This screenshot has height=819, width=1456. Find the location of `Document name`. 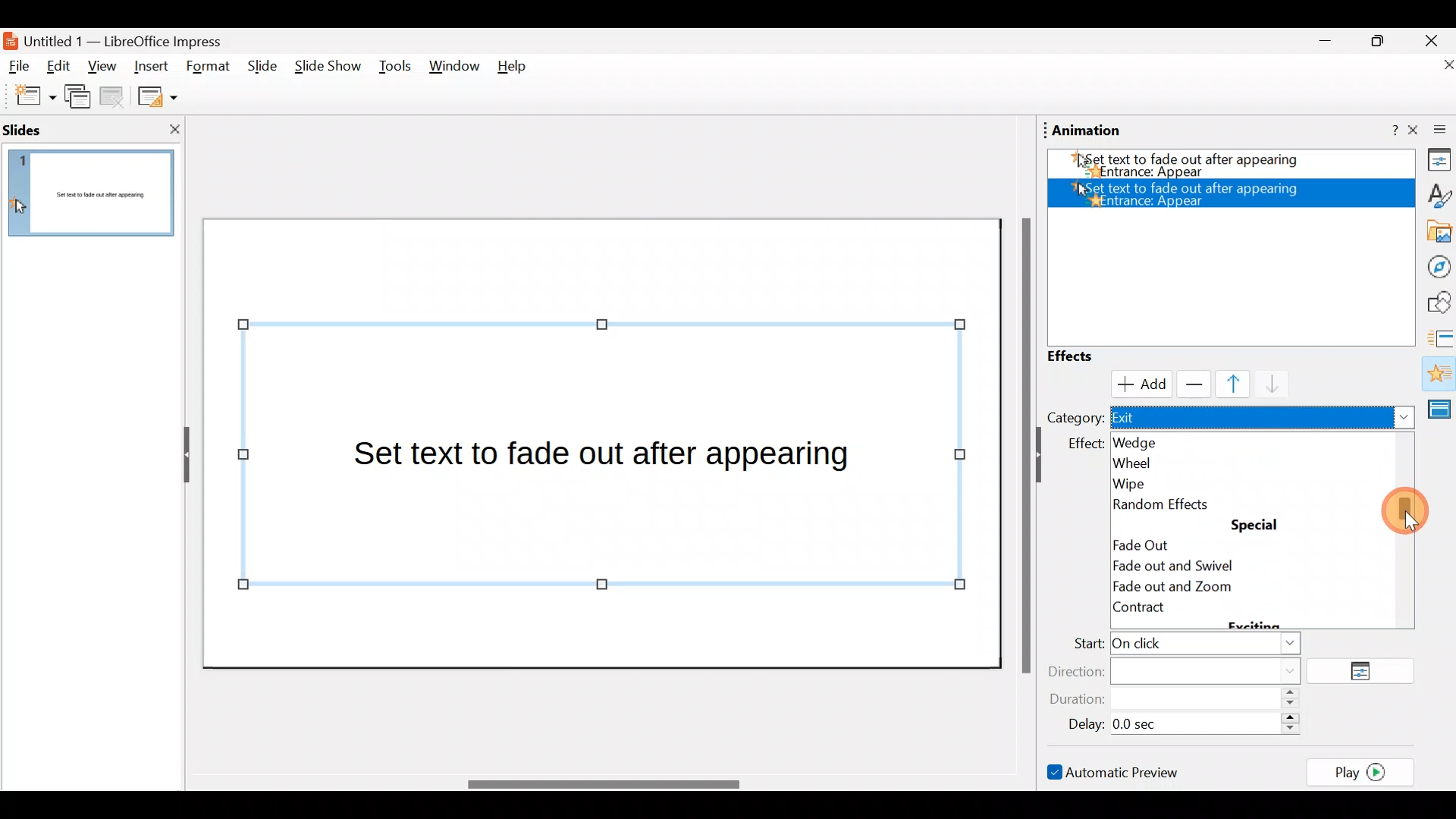

Document name is located at coordinates (124, 39).